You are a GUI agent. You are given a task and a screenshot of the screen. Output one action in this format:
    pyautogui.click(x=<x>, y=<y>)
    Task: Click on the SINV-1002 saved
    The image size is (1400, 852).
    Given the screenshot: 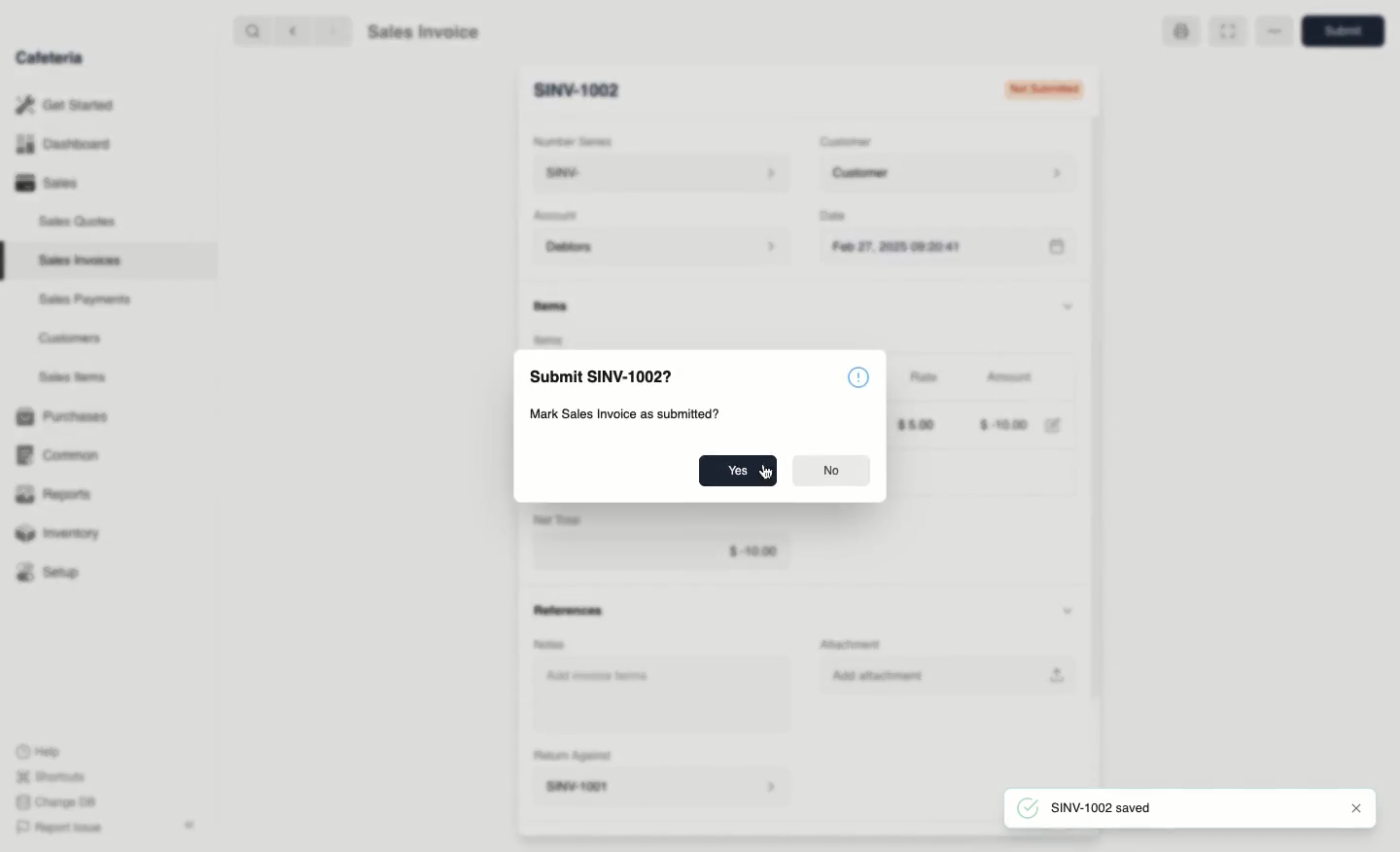 What is the action you would take?
    pyautogui.click(x=1110, y=808)
    